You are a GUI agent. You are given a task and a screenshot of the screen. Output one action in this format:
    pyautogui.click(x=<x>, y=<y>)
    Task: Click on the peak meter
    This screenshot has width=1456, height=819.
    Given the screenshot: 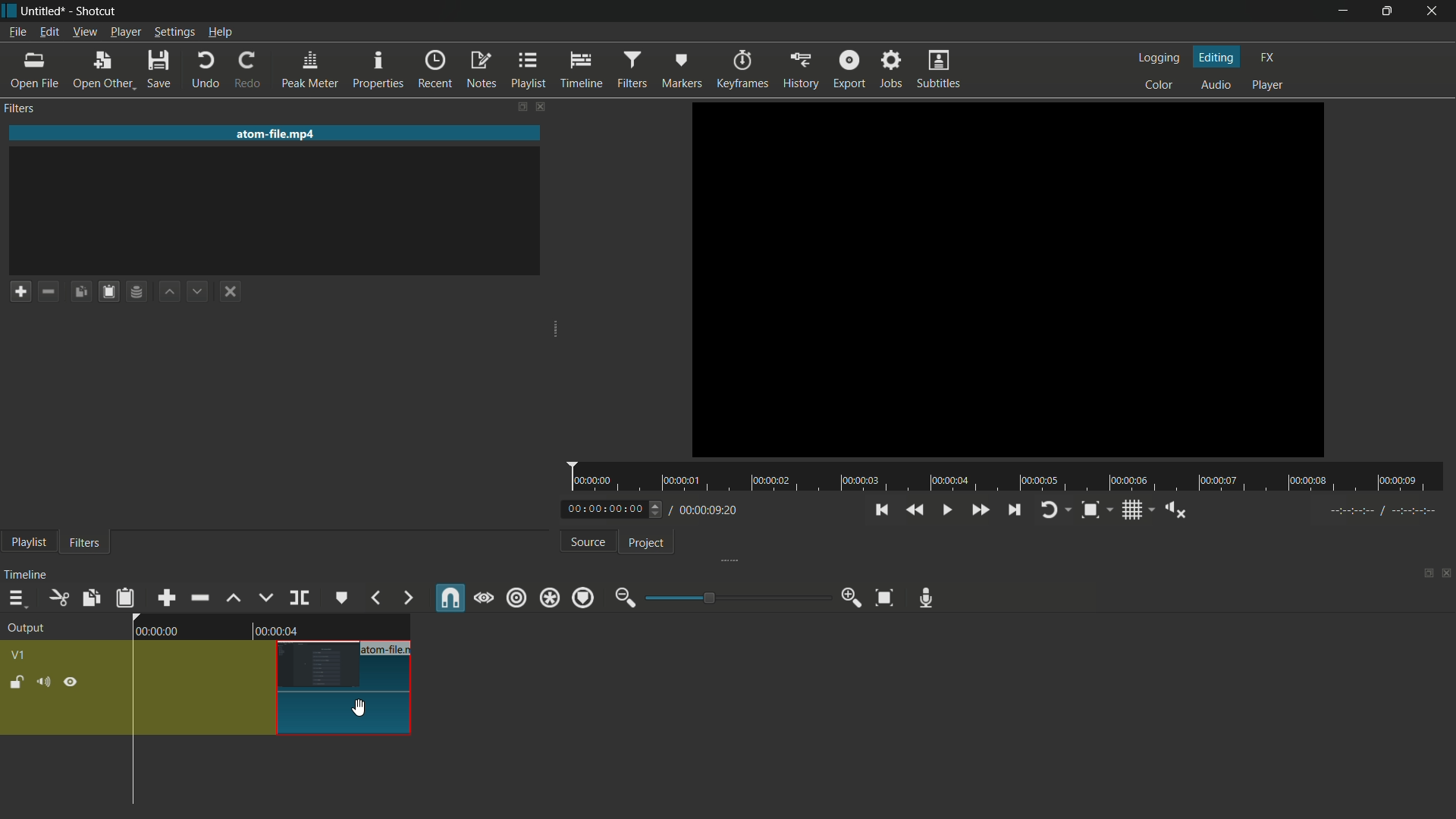 What is the action you would take?
    pyautogui.click(x=308, y=69)
    